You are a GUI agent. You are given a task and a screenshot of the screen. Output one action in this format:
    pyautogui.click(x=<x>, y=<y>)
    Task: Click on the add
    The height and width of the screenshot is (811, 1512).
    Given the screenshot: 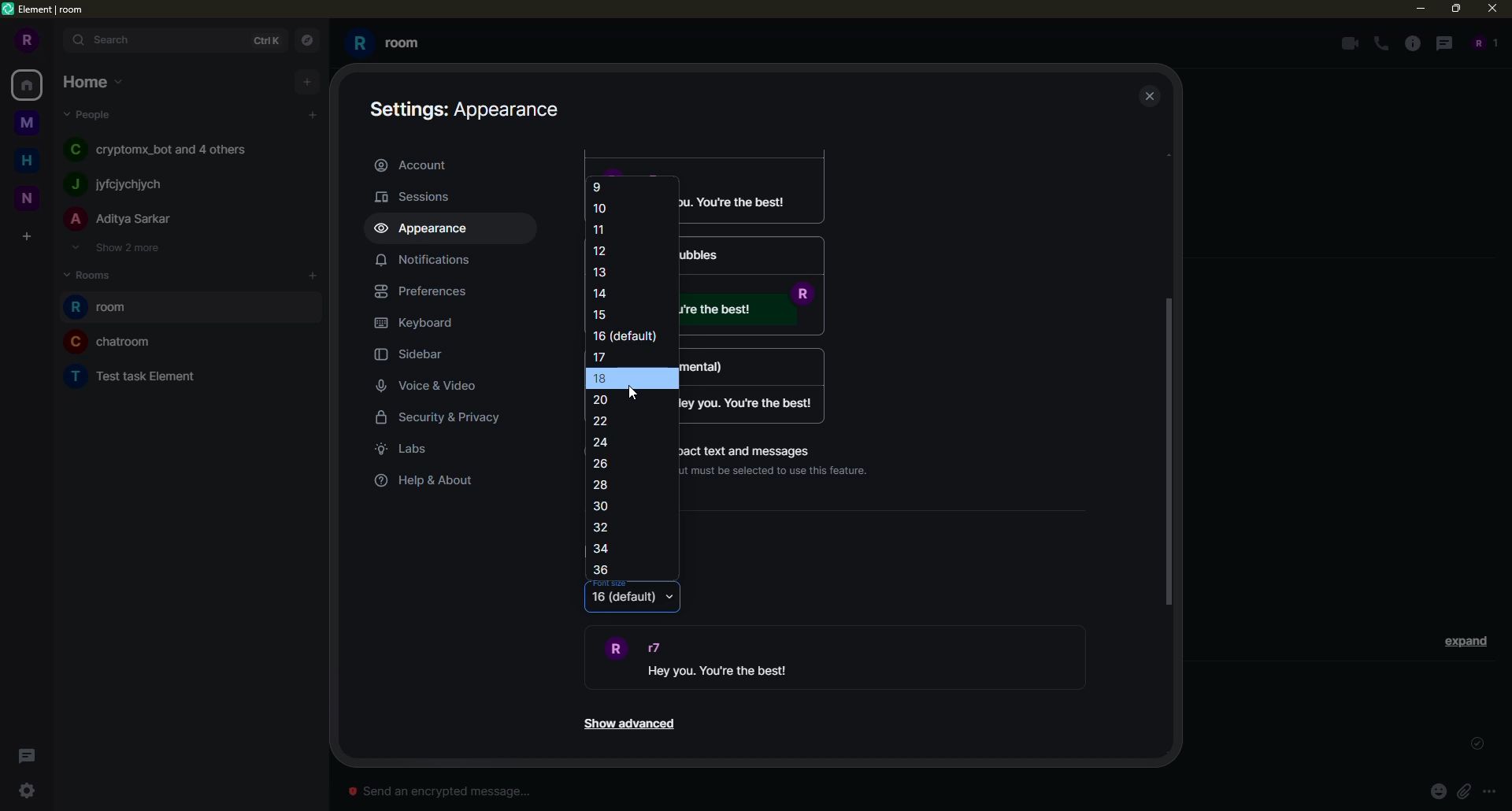 What is the action you would take?
    pyautogui.click(x=314, y=275)
    